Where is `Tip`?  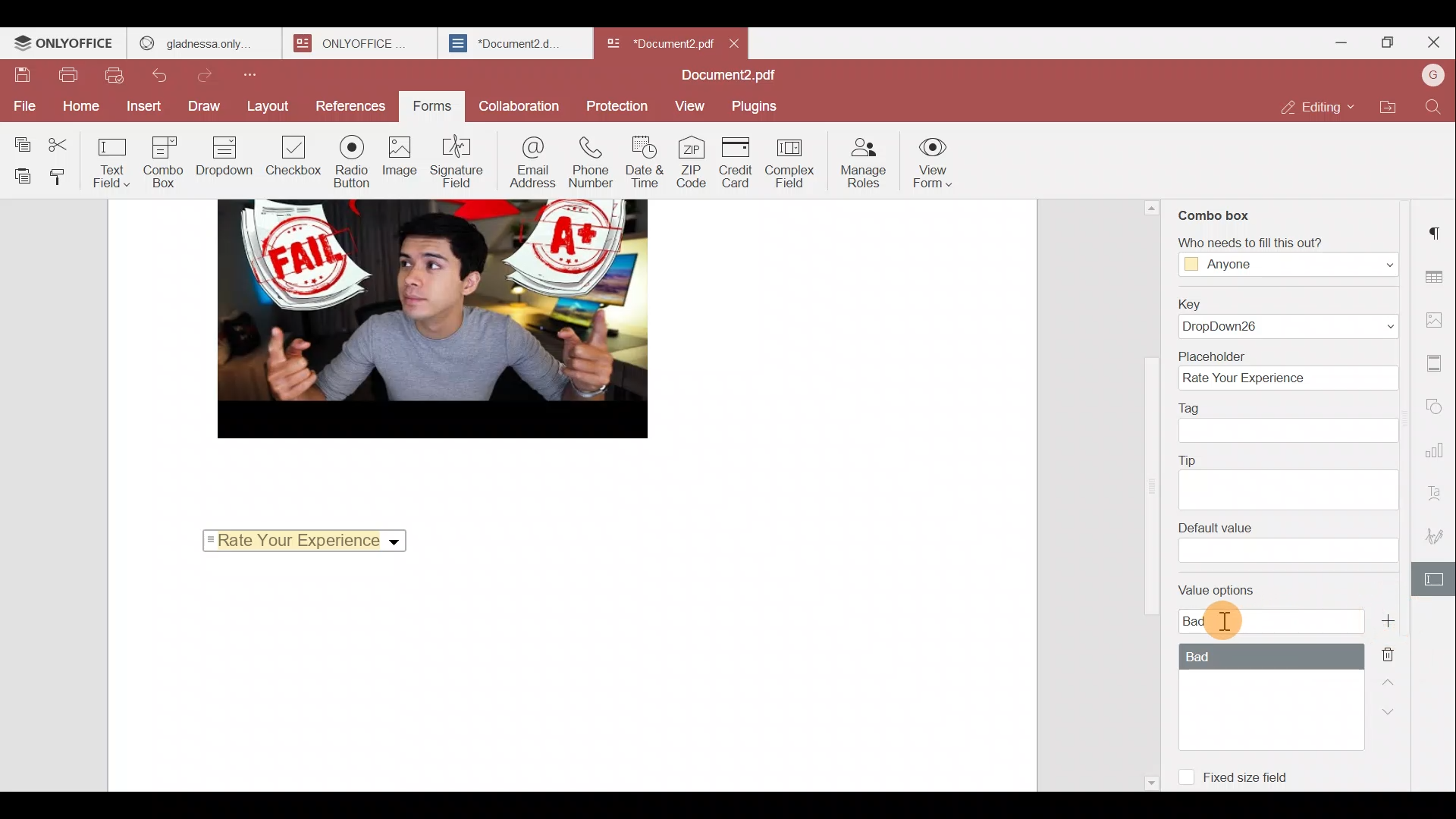 Tip is located at coordinates (1289, 479).